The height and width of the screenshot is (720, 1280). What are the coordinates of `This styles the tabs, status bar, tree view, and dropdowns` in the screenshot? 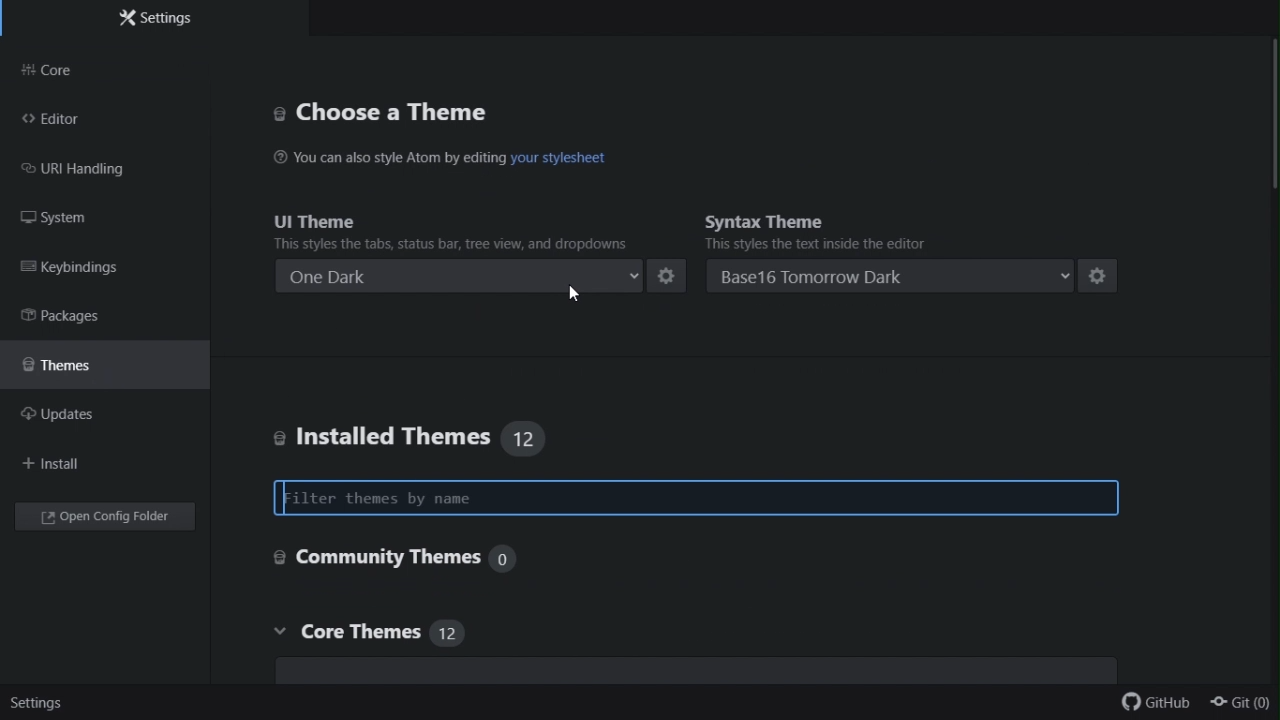 It's located at (457, 243).